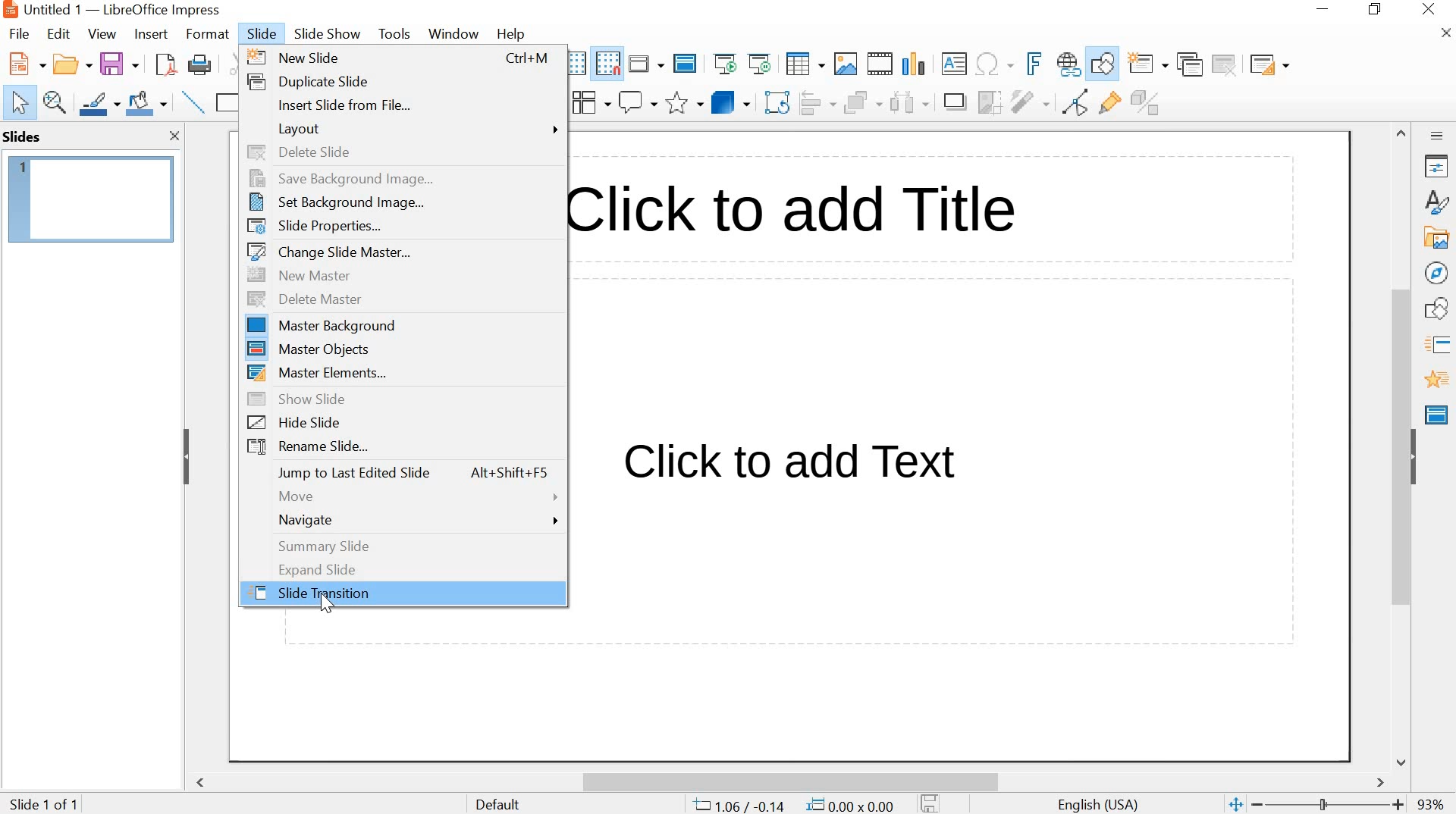 This screenshot has height=814, width=1456. Describe the element at coordinates (404, 275) in the screenshot. I see `new master` at that location.